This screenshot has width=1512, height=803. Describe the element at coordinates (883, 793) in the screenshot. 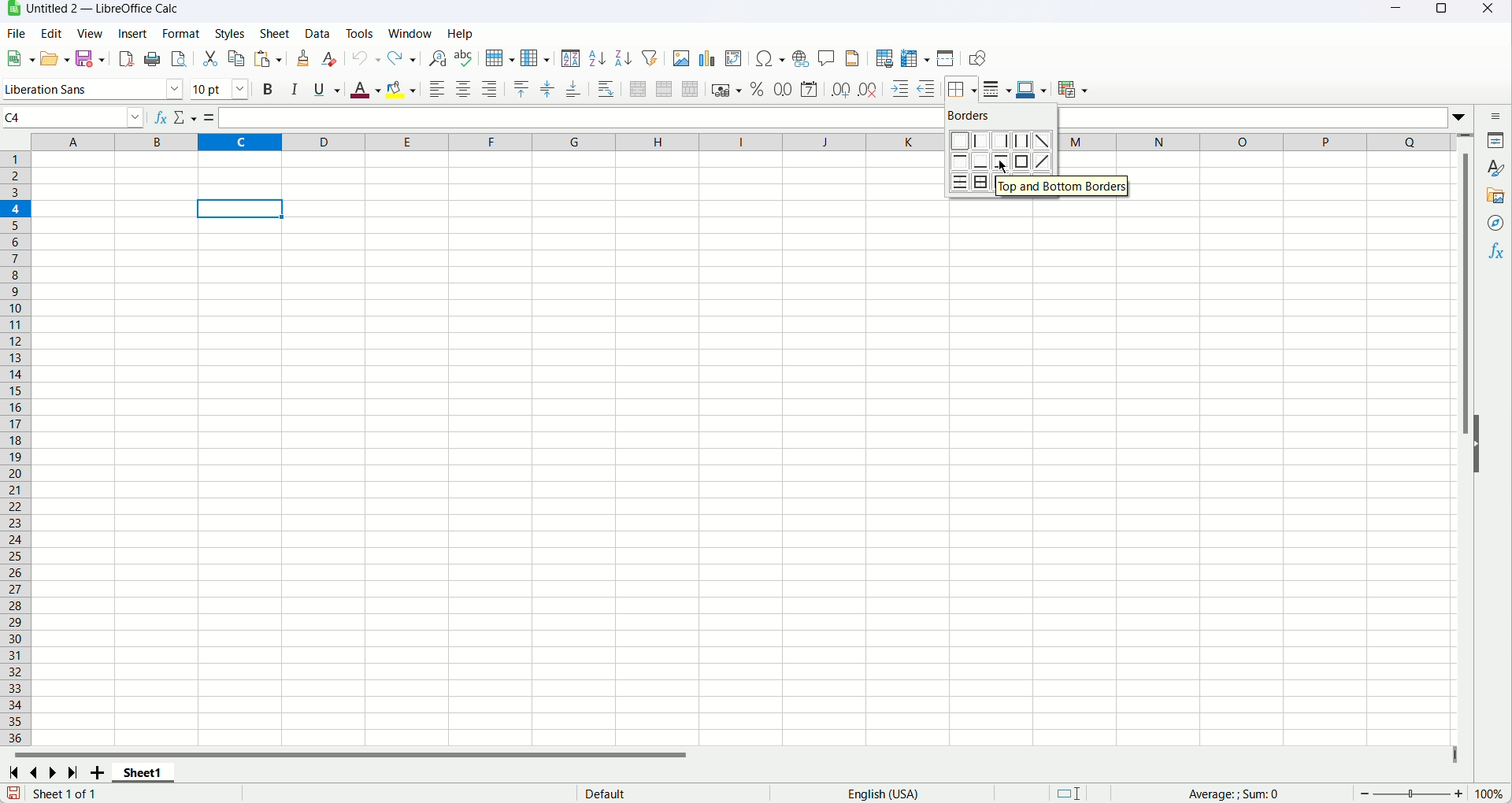

I see `Text language` at that location.